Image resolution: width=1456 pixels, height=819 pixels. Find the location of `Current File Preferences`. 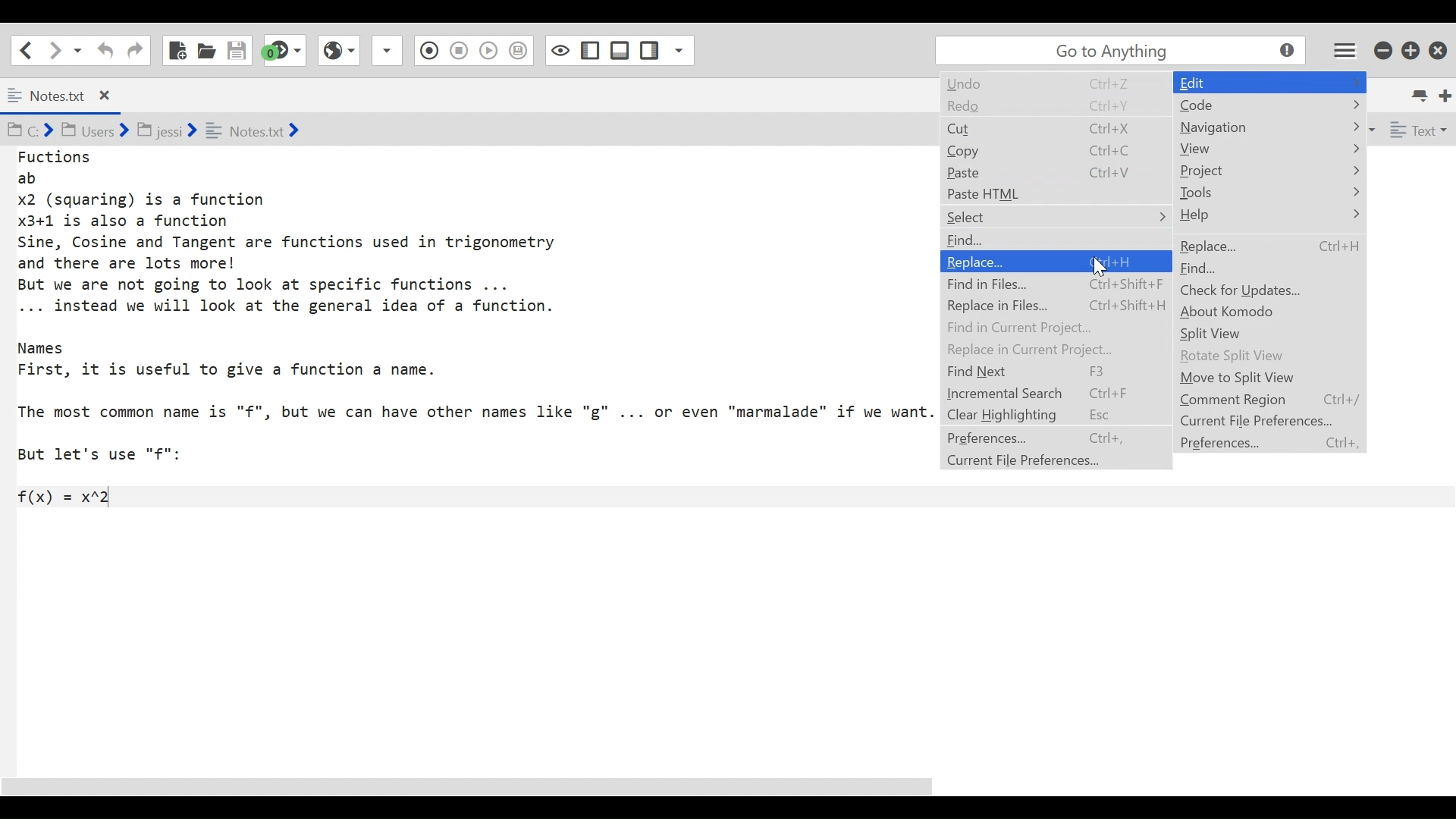

Current File Preferences is located at coordinates (1040, 462).